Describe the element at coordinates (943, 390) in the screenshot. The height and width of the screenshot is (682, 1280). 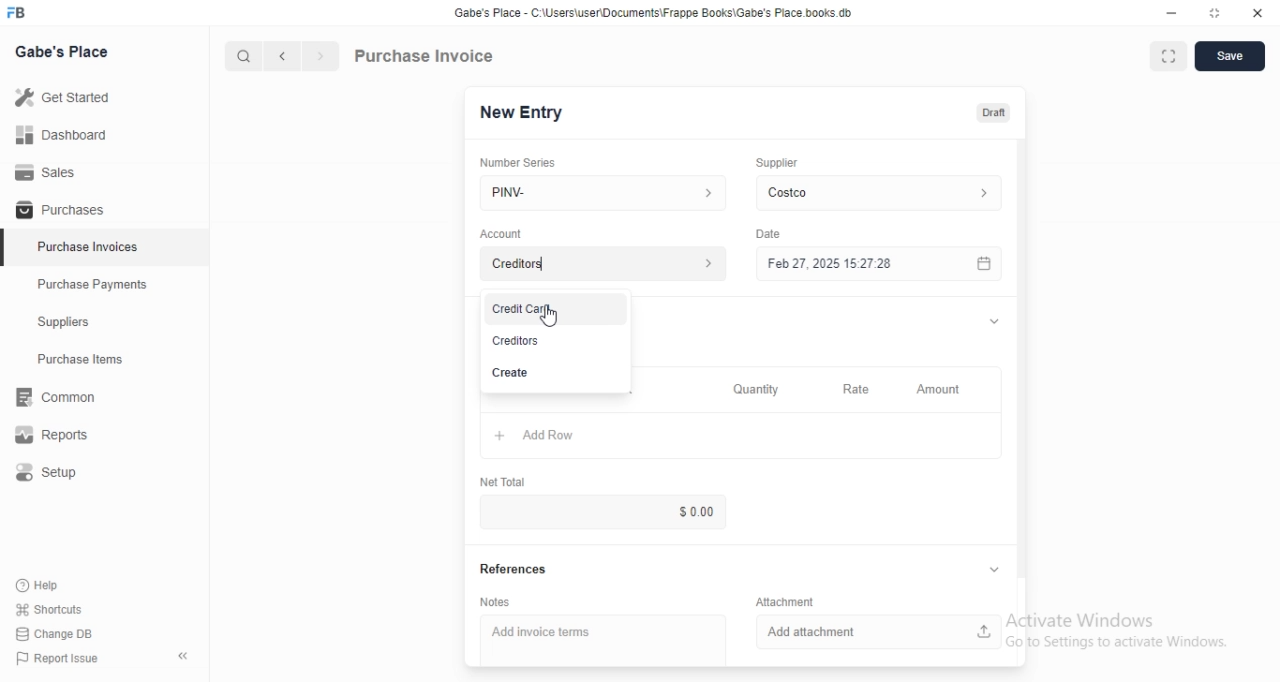
I see `Amount` at that location.